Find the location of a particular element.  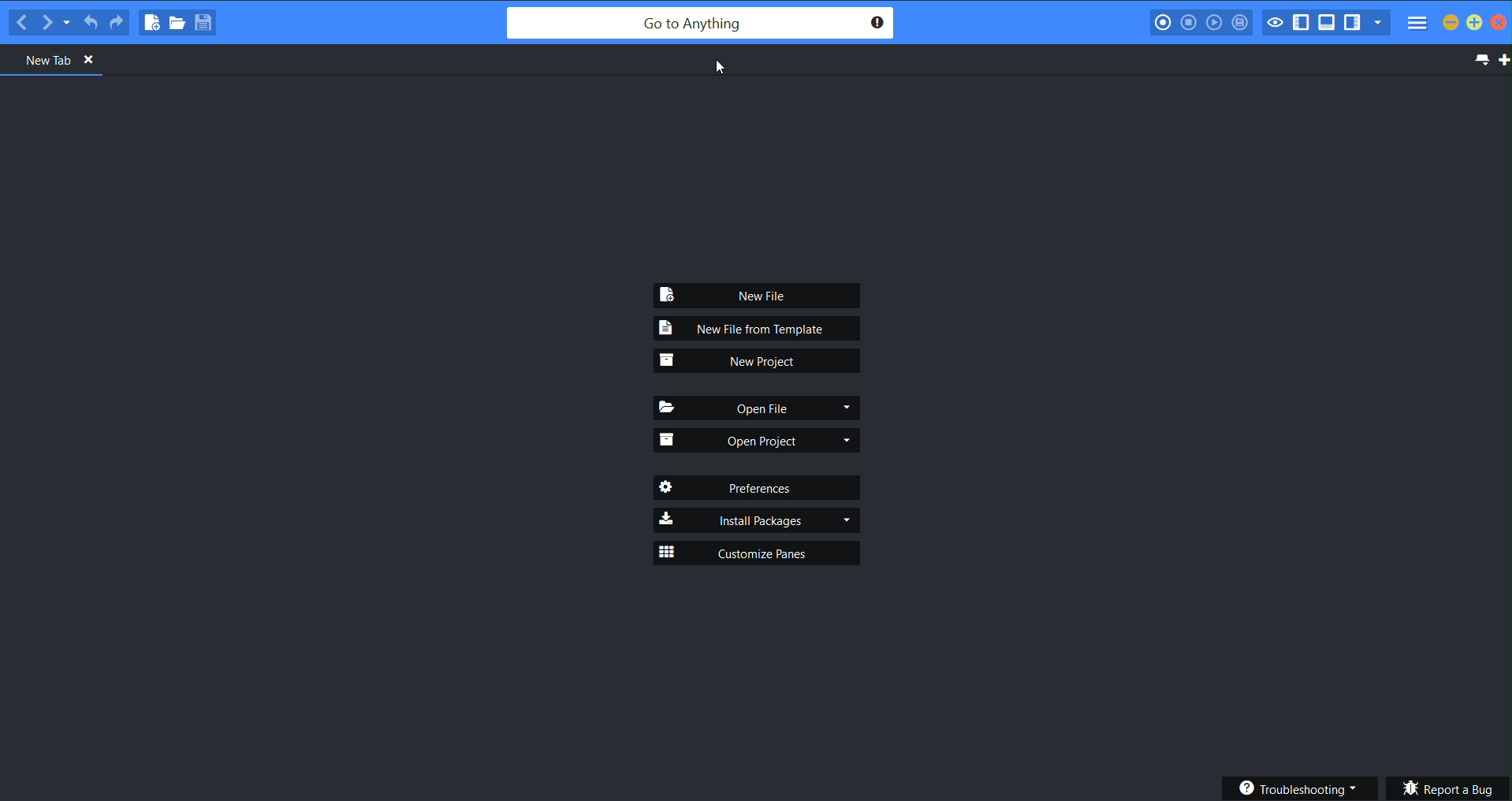

play last macro is located at coordinates (1214, 22).